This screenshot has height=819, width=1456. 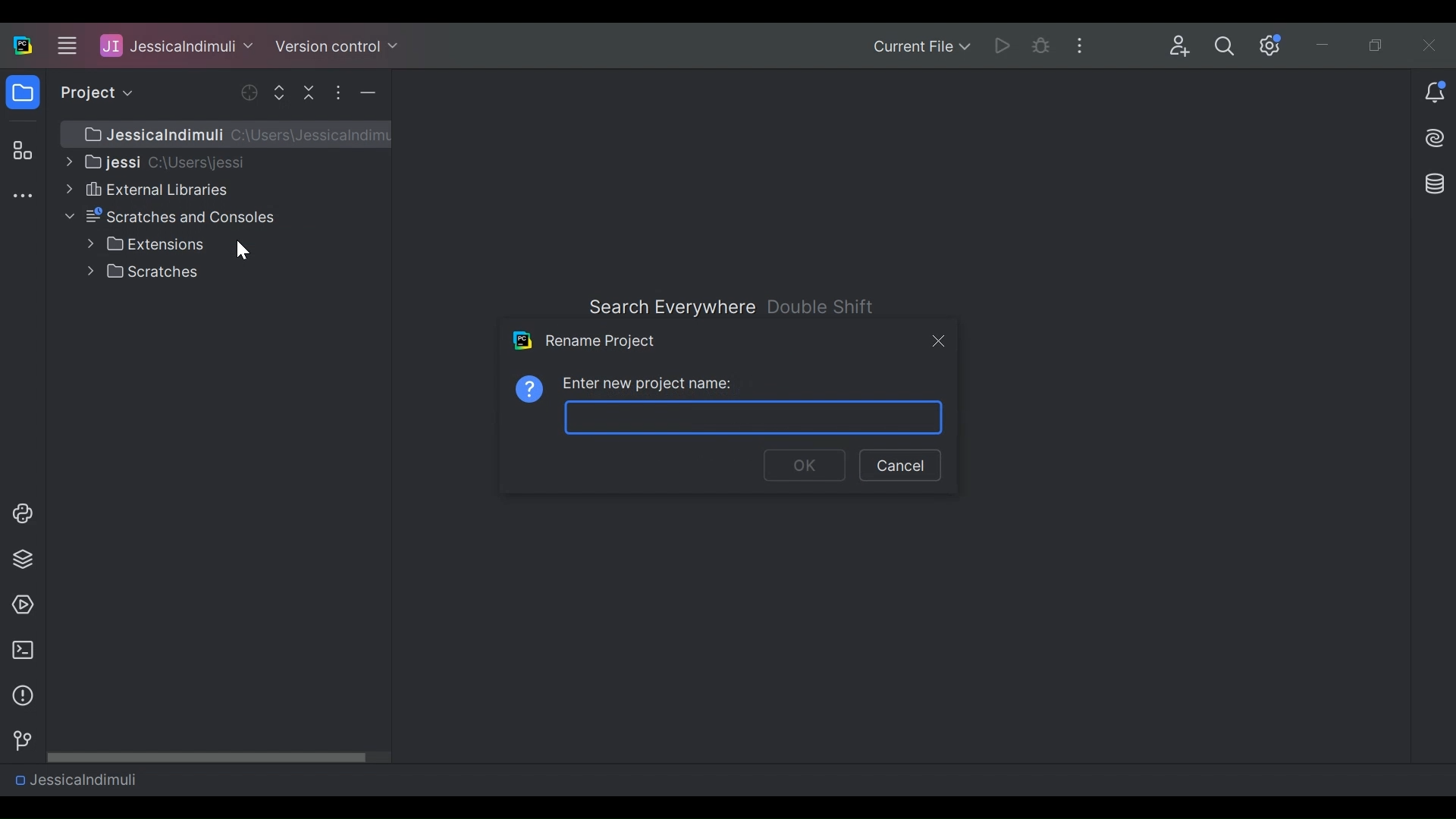 I want to click on layers, so click(x=22, y=558).